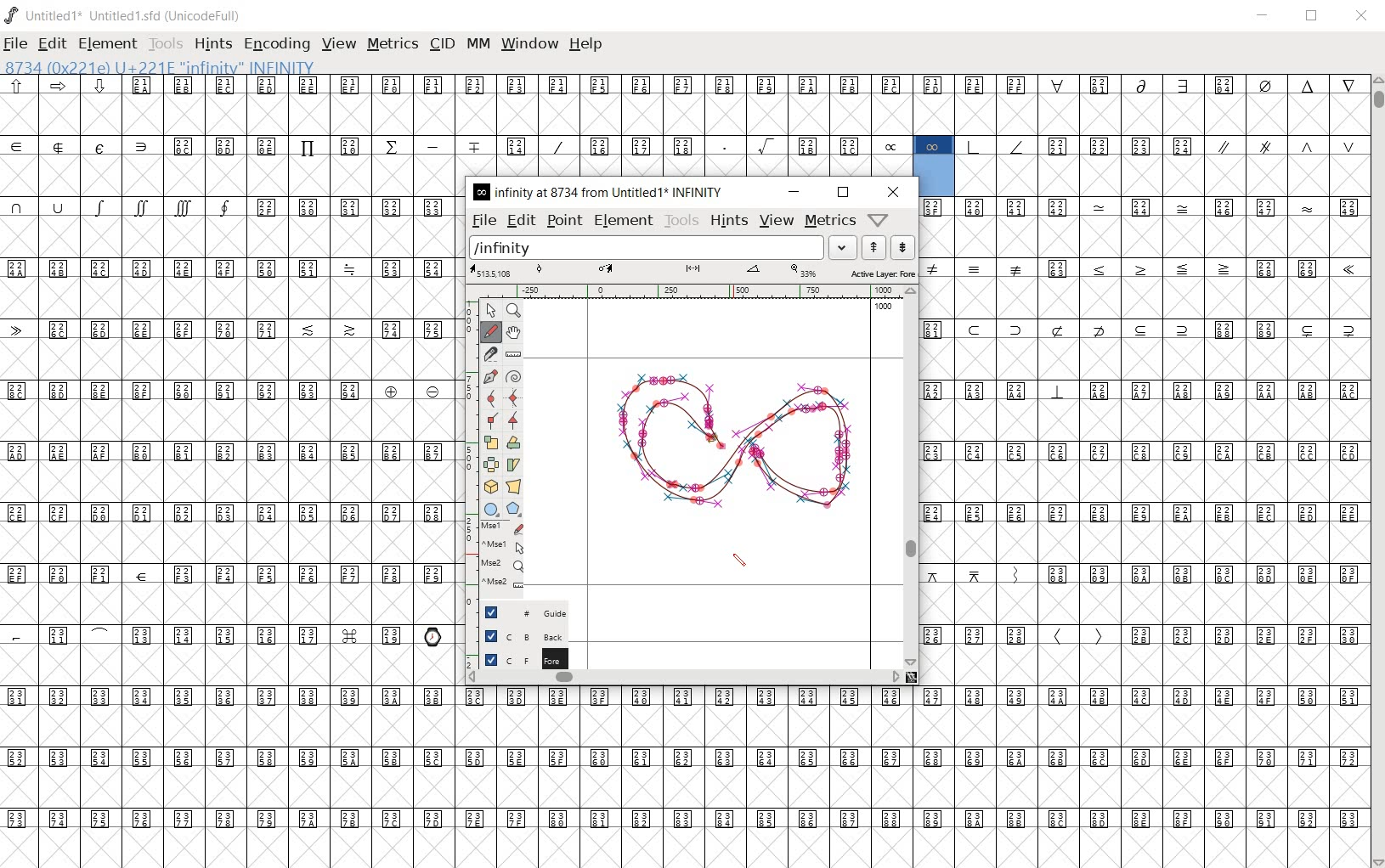 The image size is (1385, 868). What do you see at coordinates (1062, 268) in the screenshot?
I see `Unicode code points` at bounding box center [1062, 268].